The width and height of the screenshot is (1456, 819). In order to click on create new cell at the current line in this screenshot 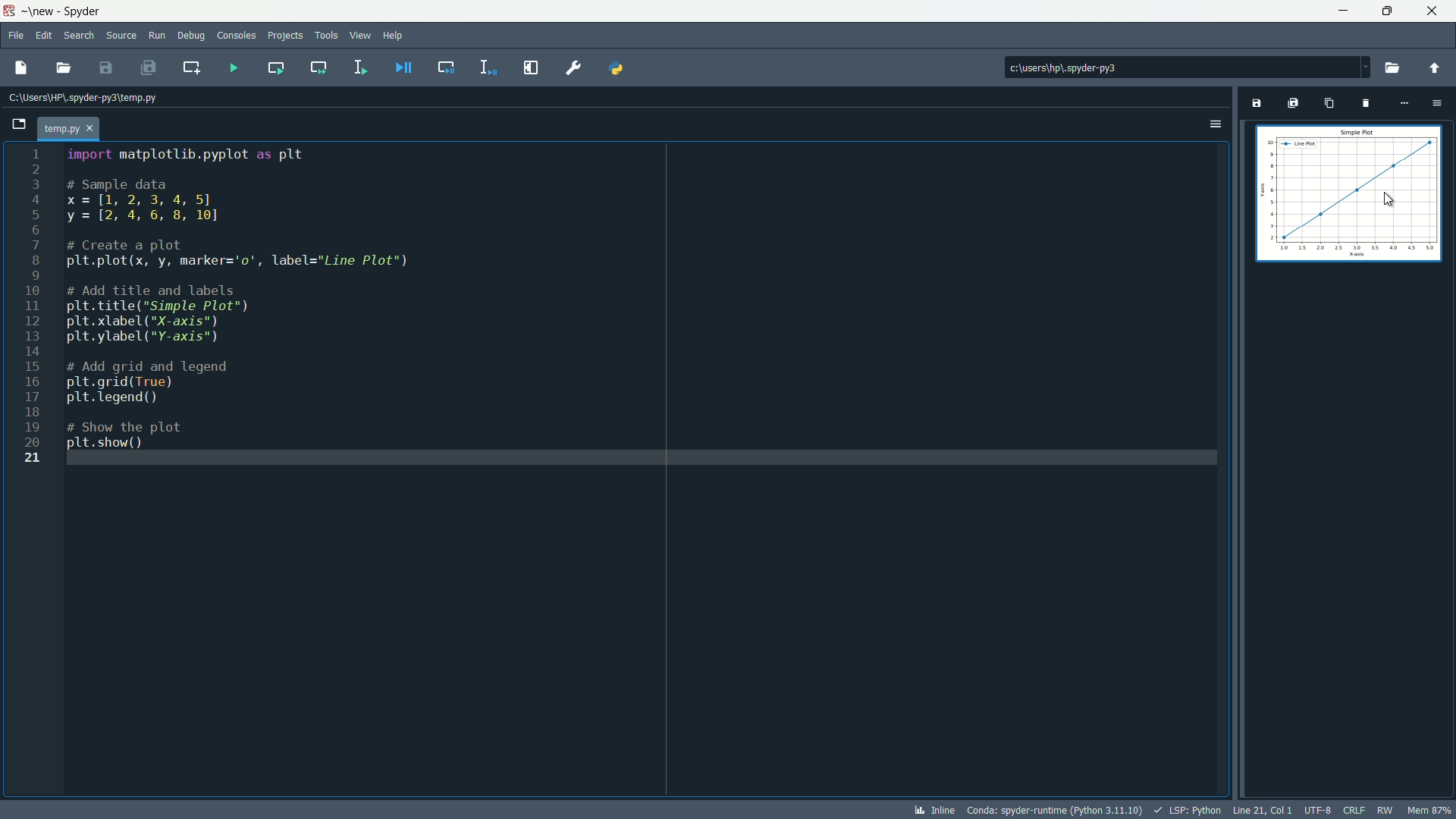, I will do `click(193, 65)`.